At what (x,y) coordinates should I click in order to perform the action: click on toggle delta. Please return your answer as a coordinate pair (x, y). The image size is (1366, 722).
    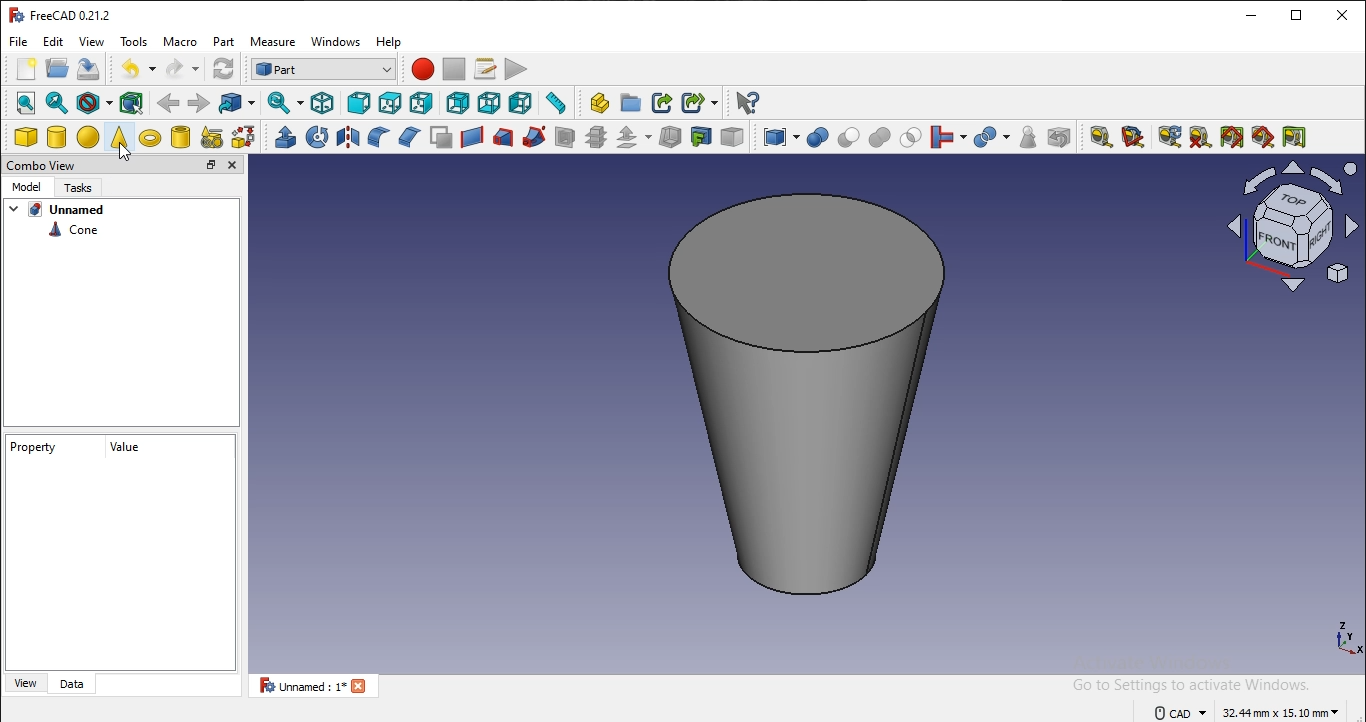
    Looking at the image, I should click on (1297, 137).